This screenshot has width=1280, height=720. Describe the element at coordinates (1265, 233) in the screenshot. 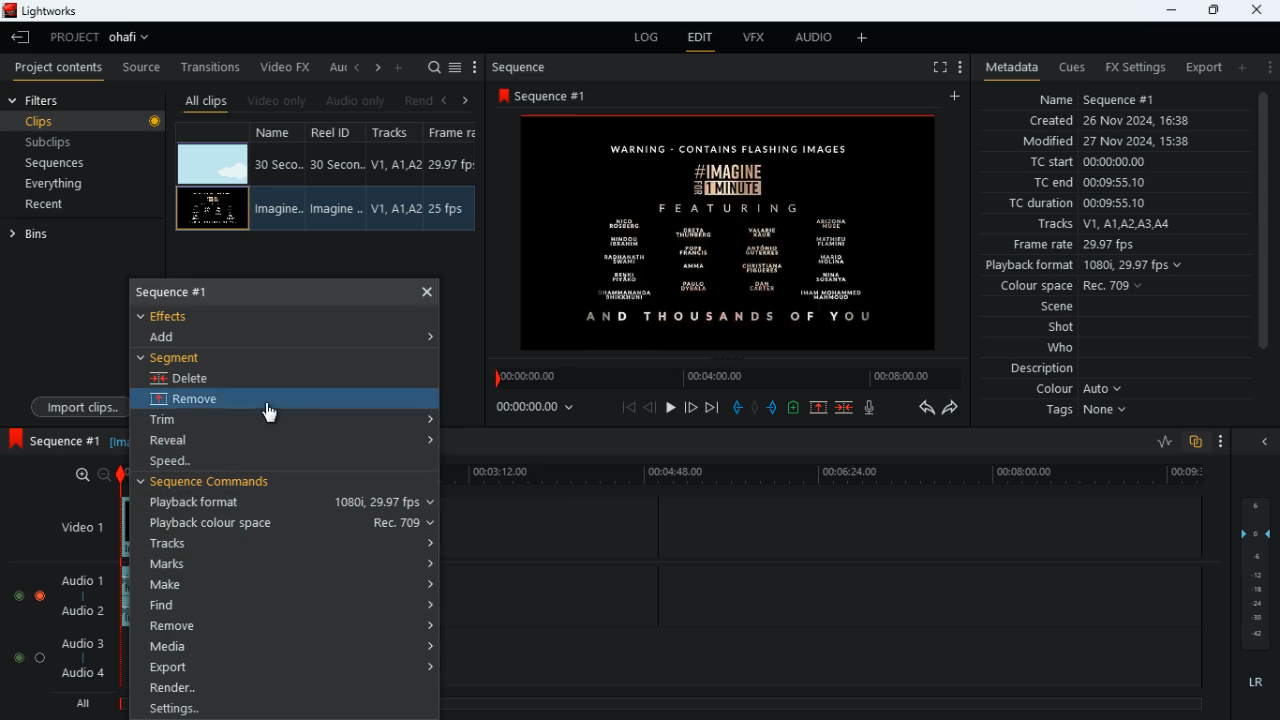

I see `scroll` at that location.